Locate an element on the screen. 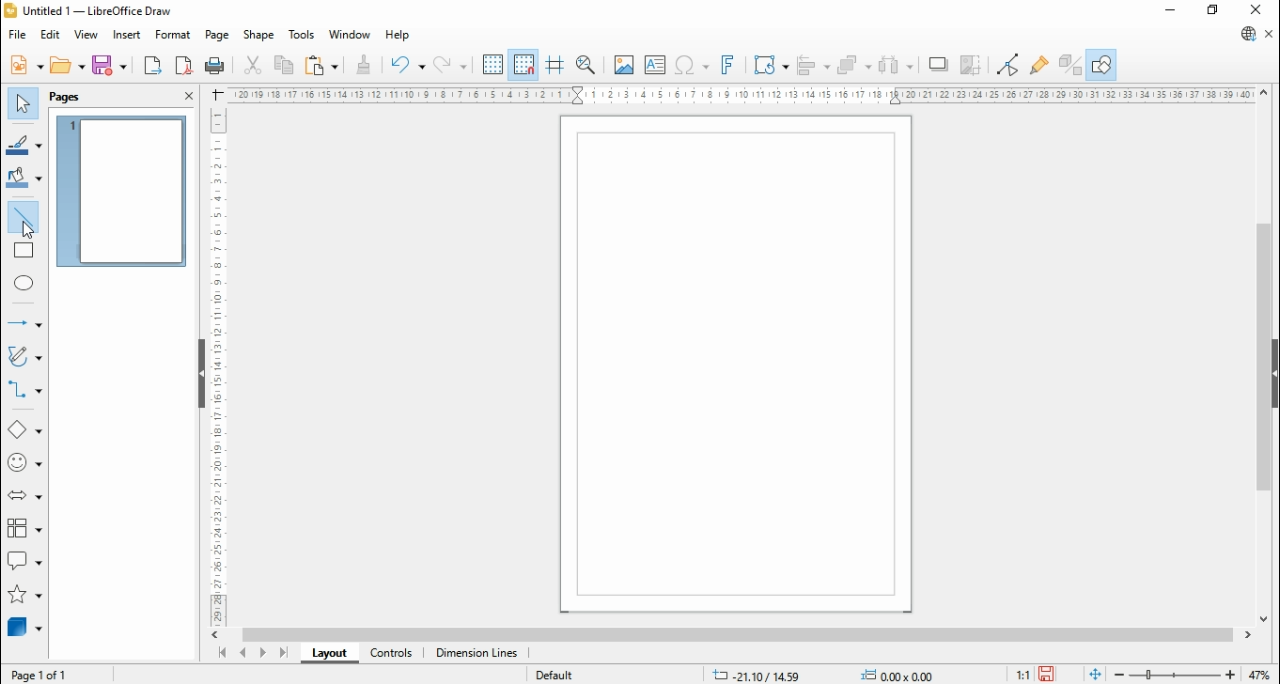 The width and height of the screenshot is (1280, 684). insert image is located at coordinates (623, 64).